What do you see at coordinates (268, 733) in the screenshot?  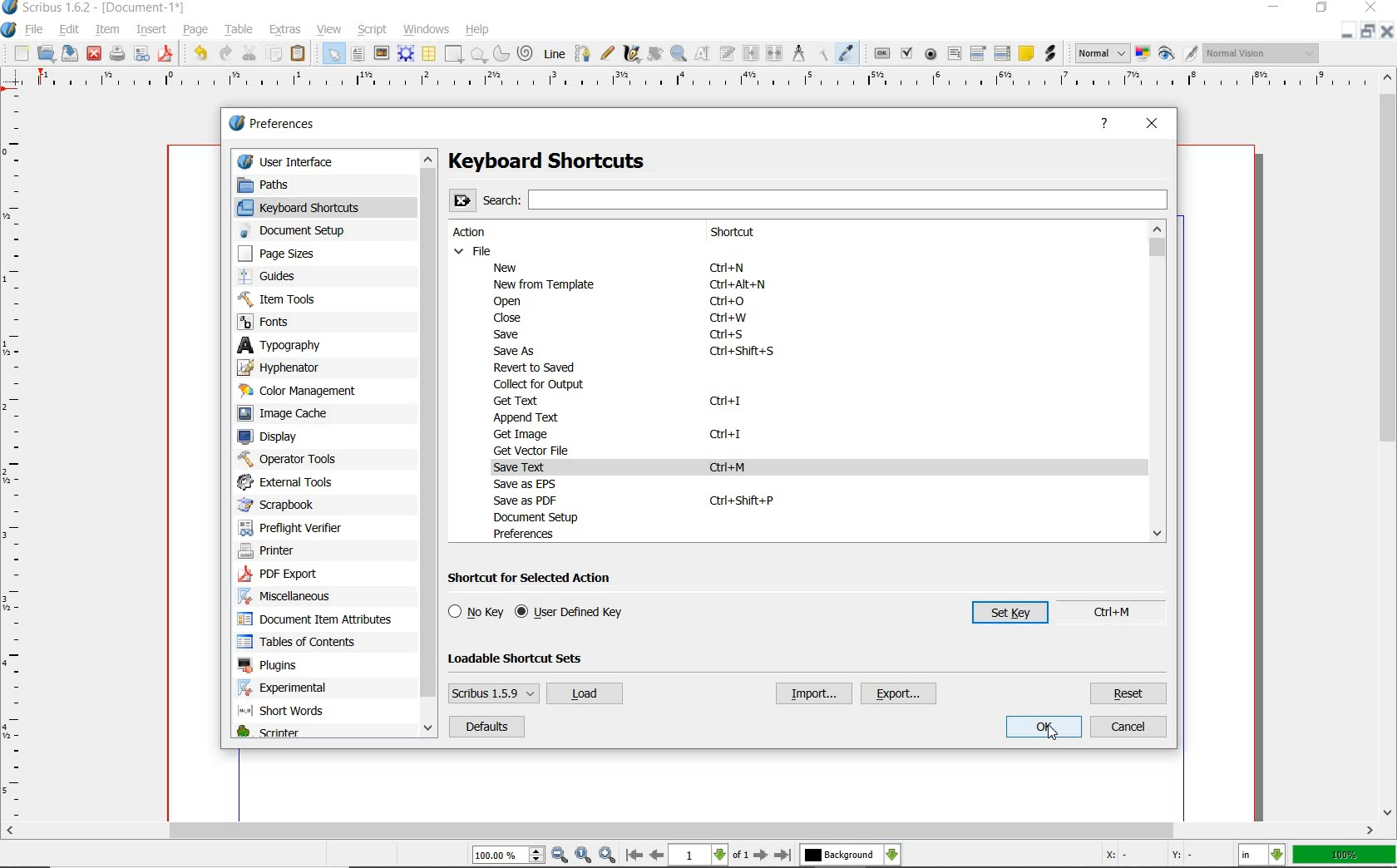 I see `scripter` at bounding box center [268, 733].